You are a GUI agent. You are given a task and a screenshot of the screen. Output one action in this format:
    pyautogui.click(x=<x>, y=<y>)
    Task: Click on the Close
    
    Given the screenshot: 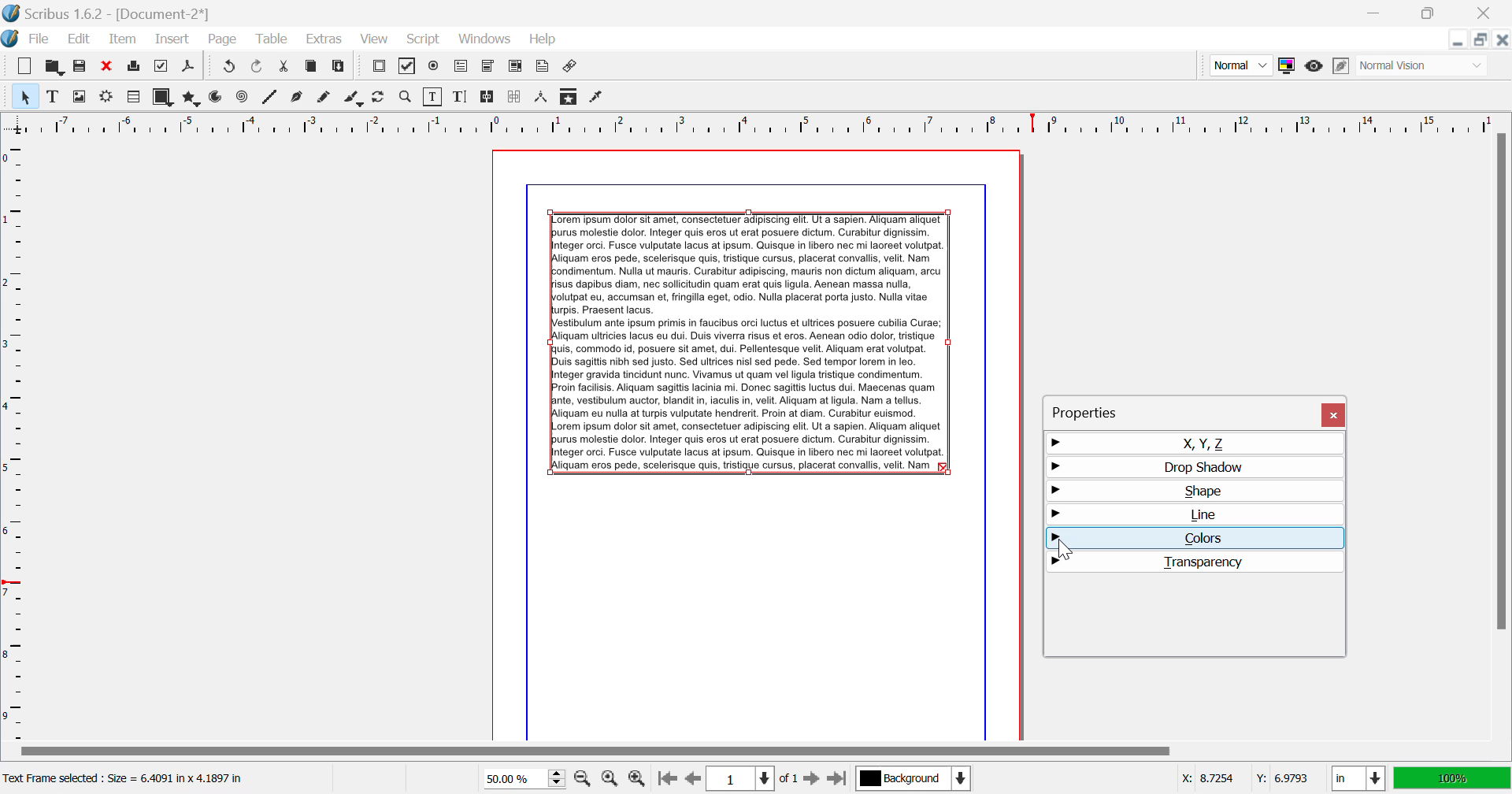 What is the action you would take?
    pyautogui.click(x=1336, y=415)
    